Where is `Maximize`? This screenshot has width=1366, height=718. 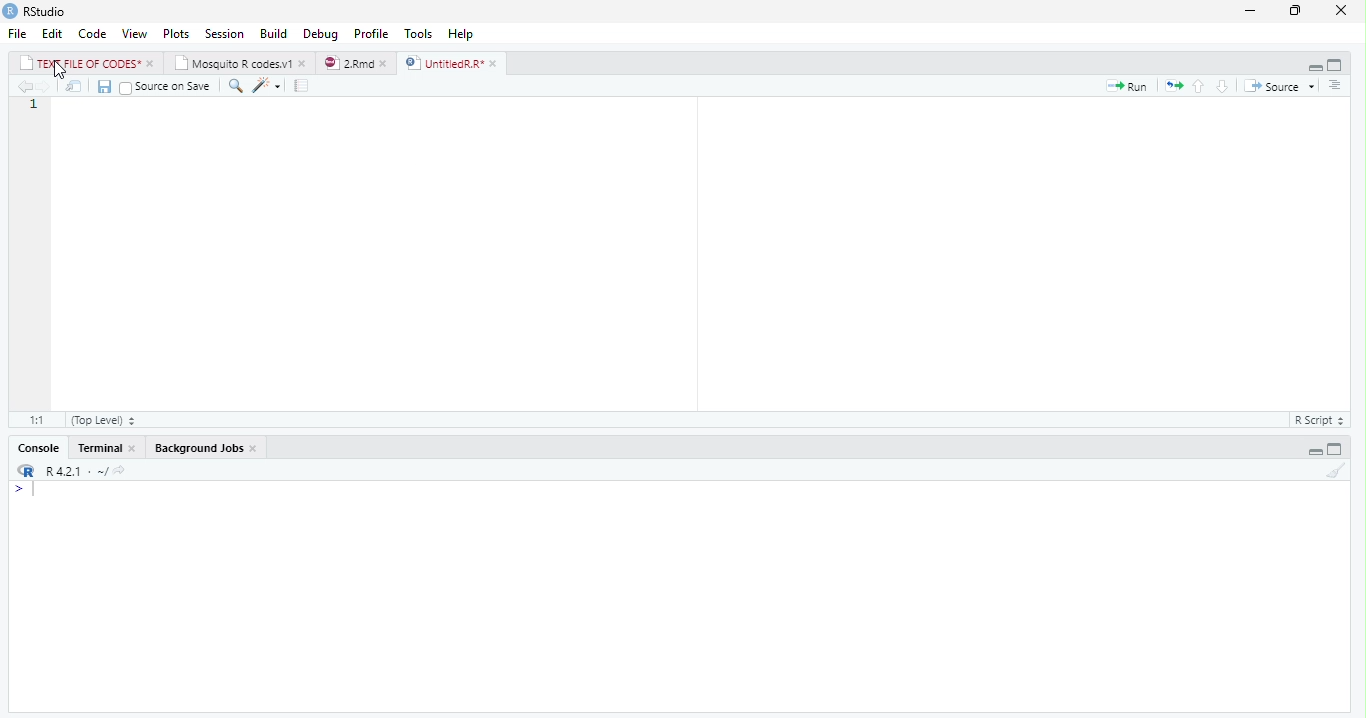 Maximize is located at coordinates (1296, 11).